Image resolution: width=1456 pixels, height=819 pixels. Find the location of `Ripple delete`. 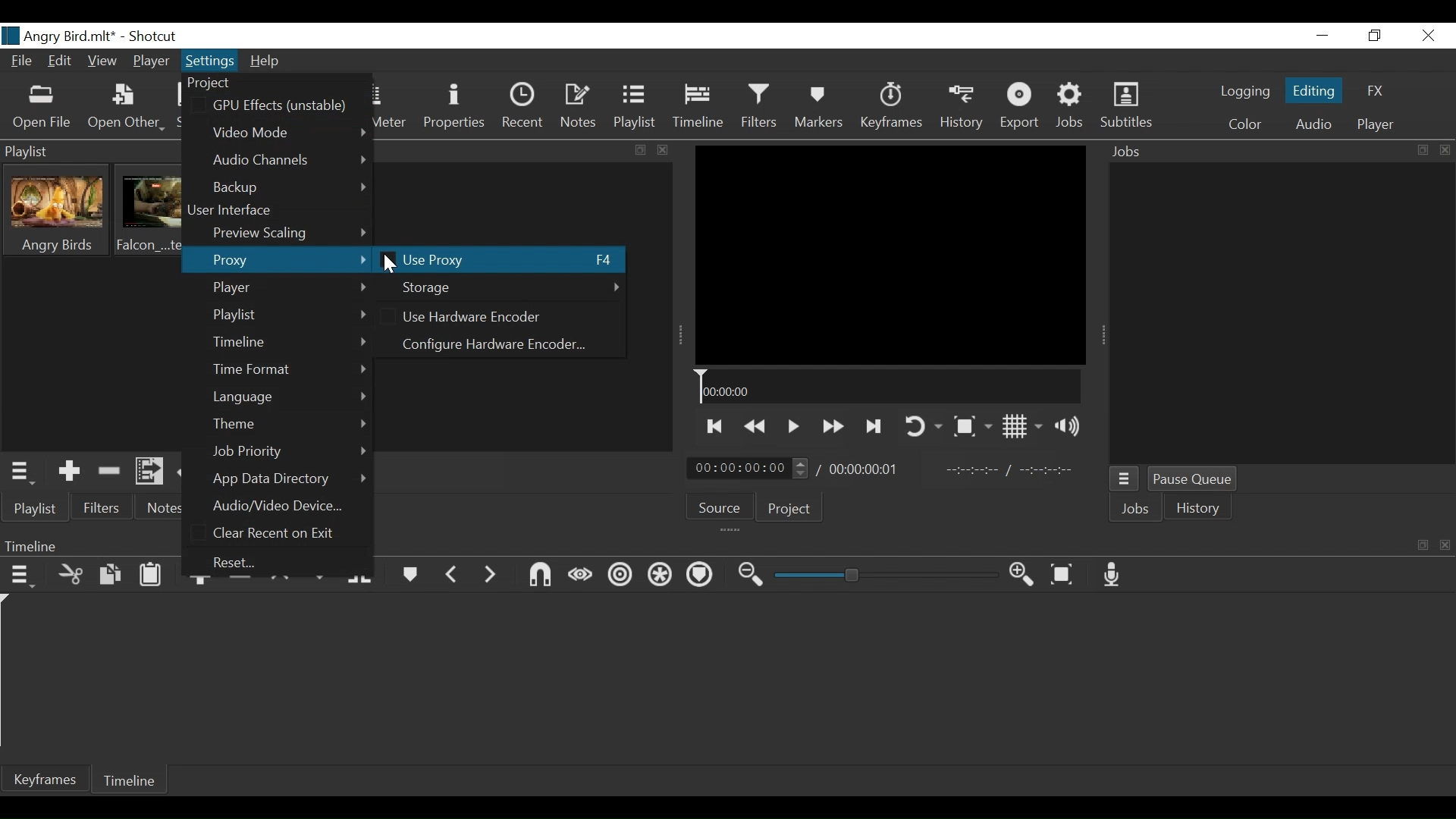

Ripple delete is located at coordinates (240, 585).